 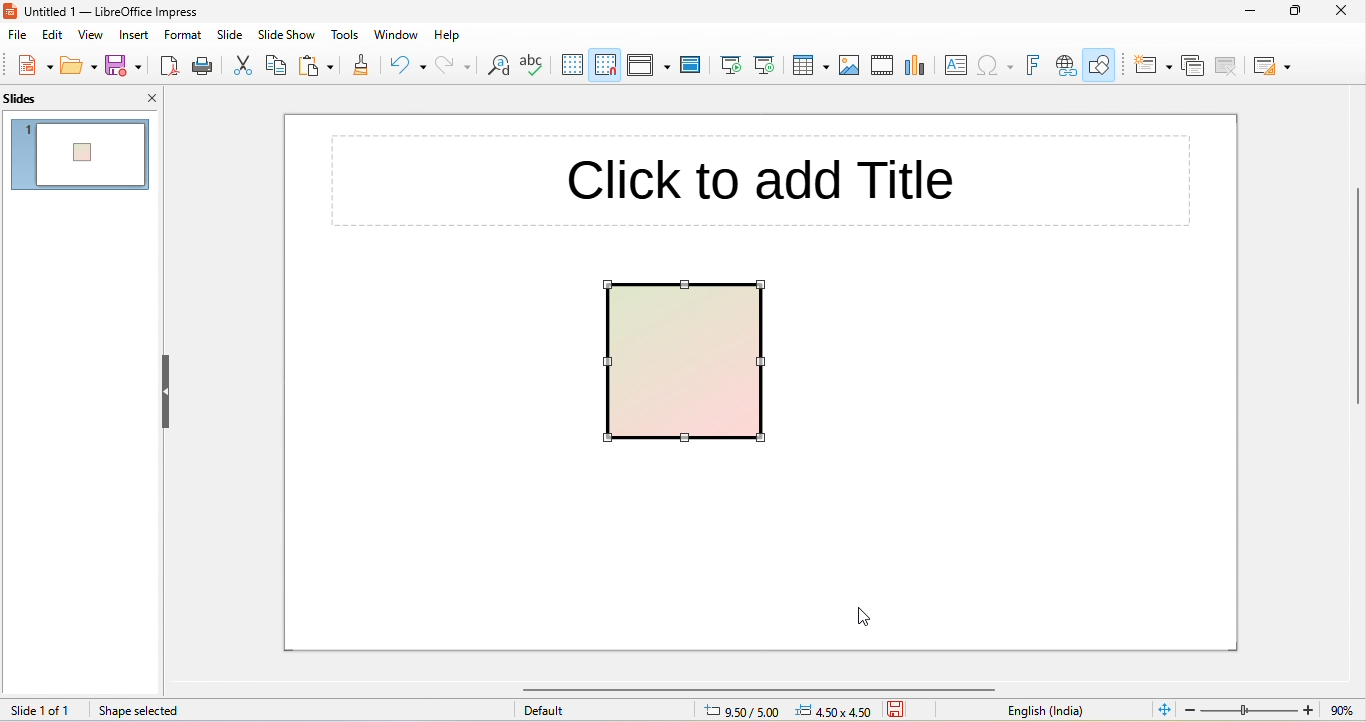 What do you see at coordinates (1031, 65) in the screenshot?
I see `fontwork text` at bounding box center [1031, 65].